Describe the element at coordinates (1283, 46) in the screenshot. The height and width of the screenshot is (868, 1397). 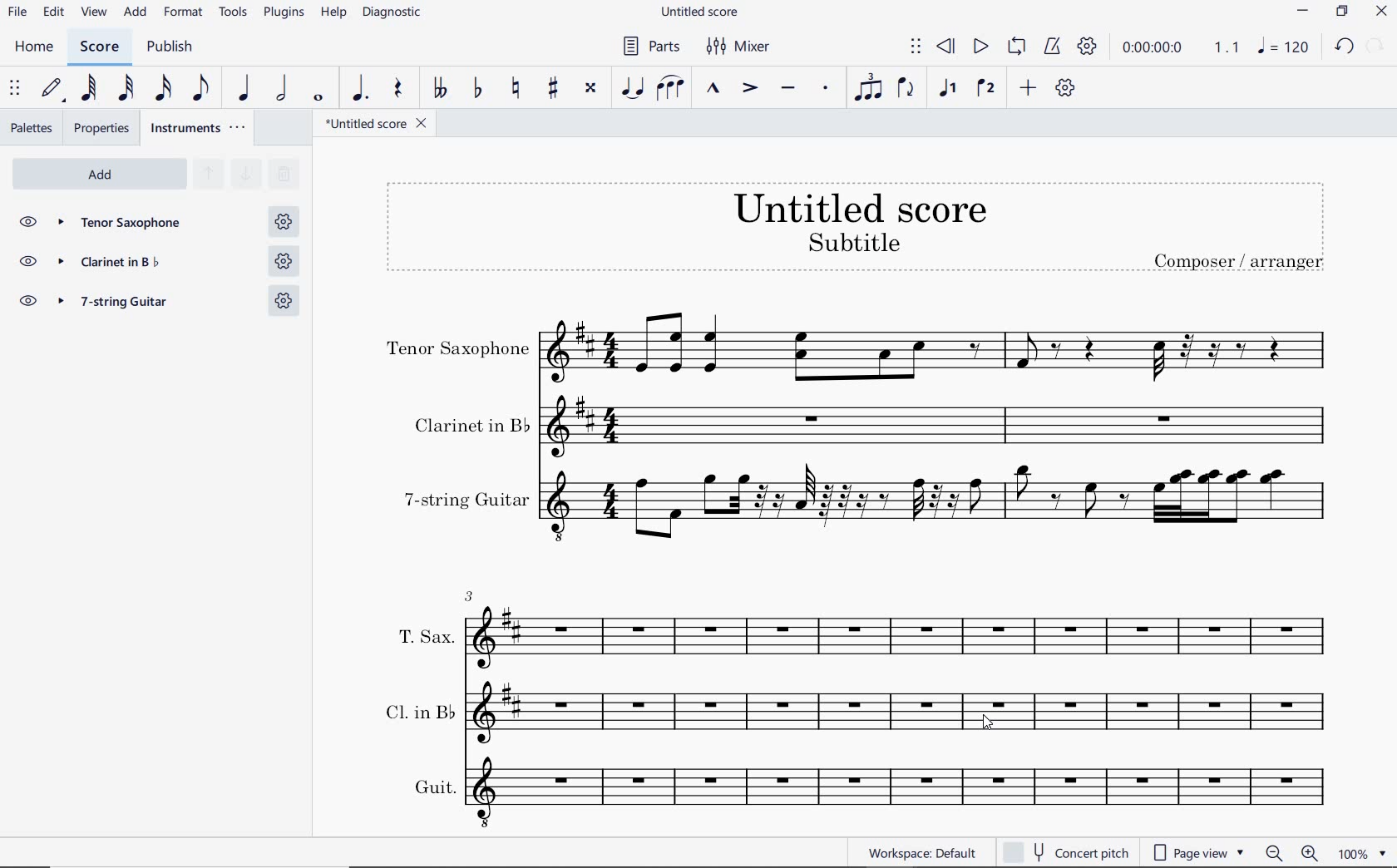
I see `NOTE` at that location.